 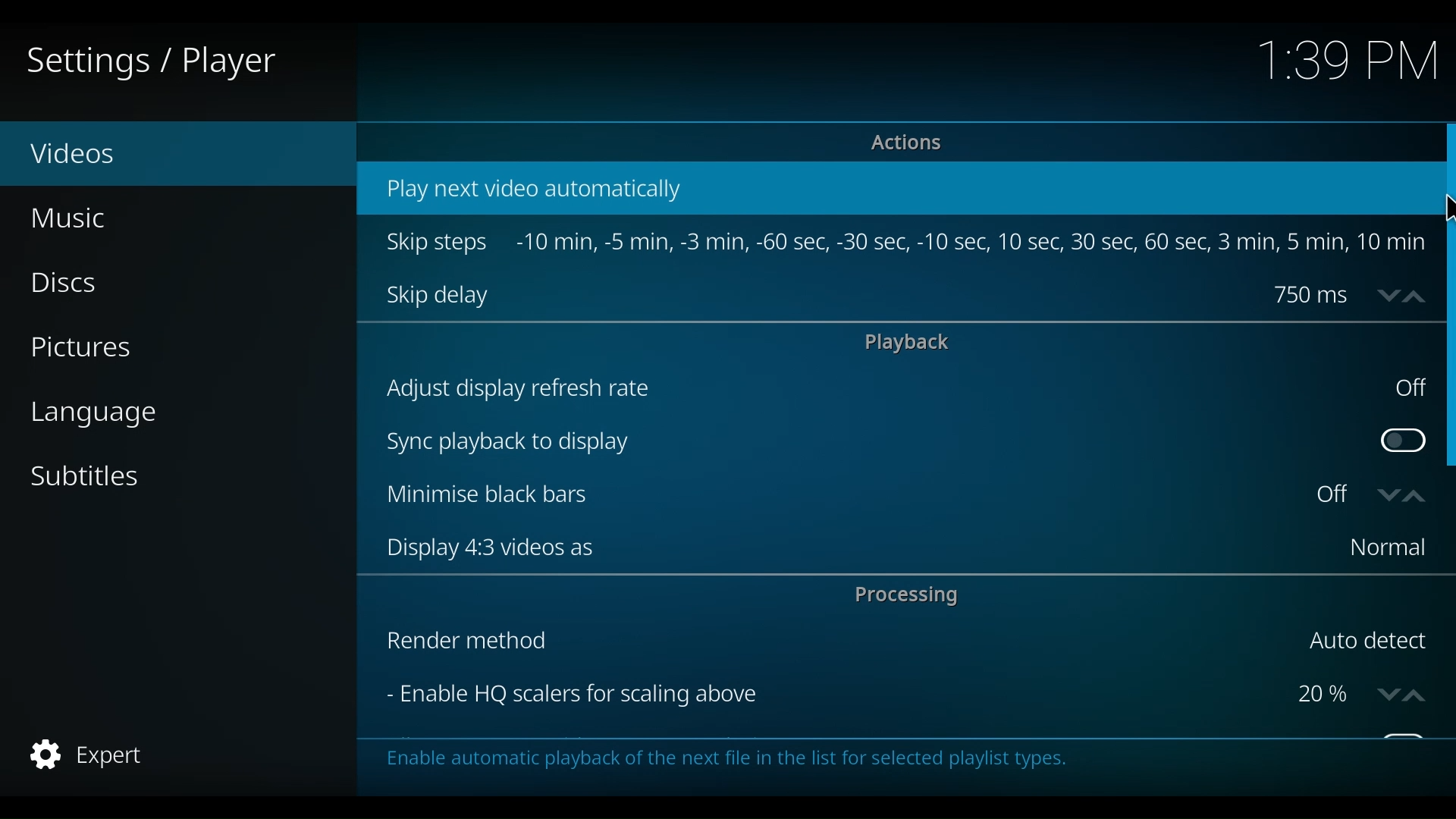 I want to click on Pictures, so click(x=86, y=350).